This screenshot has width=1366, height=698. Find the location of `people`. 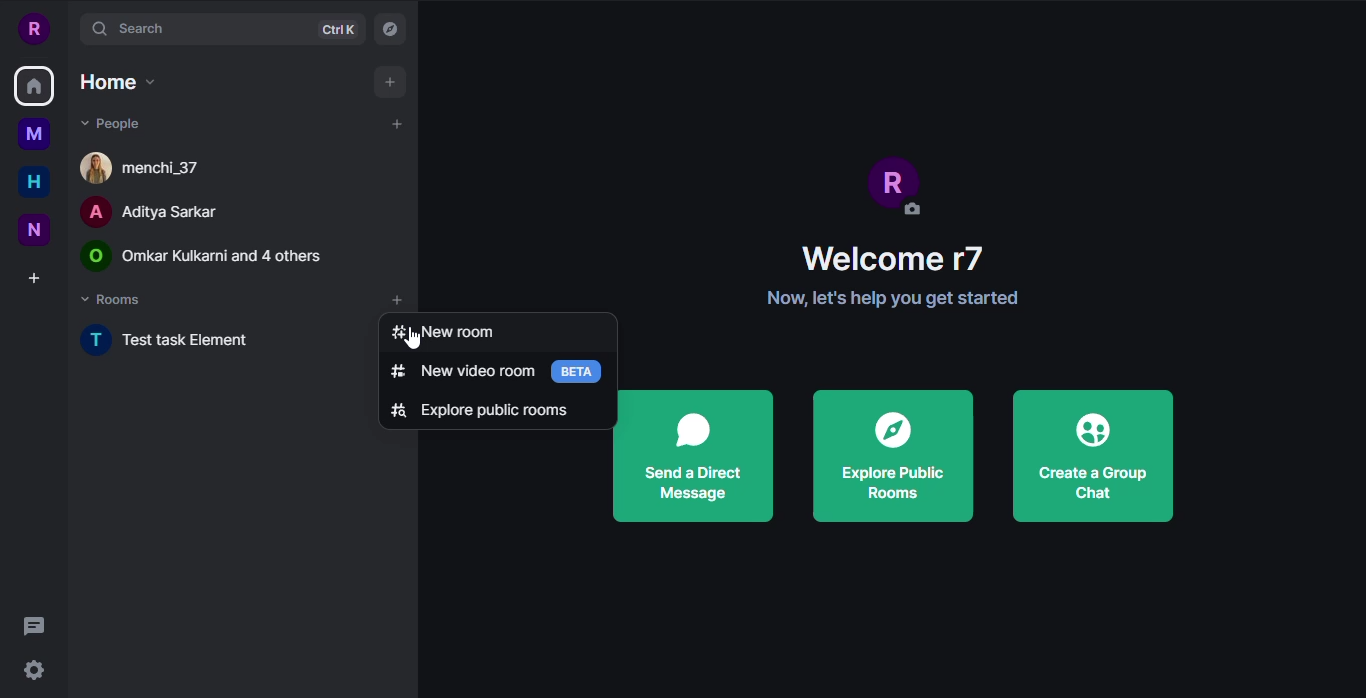

people is located at coordinates (151, 165).